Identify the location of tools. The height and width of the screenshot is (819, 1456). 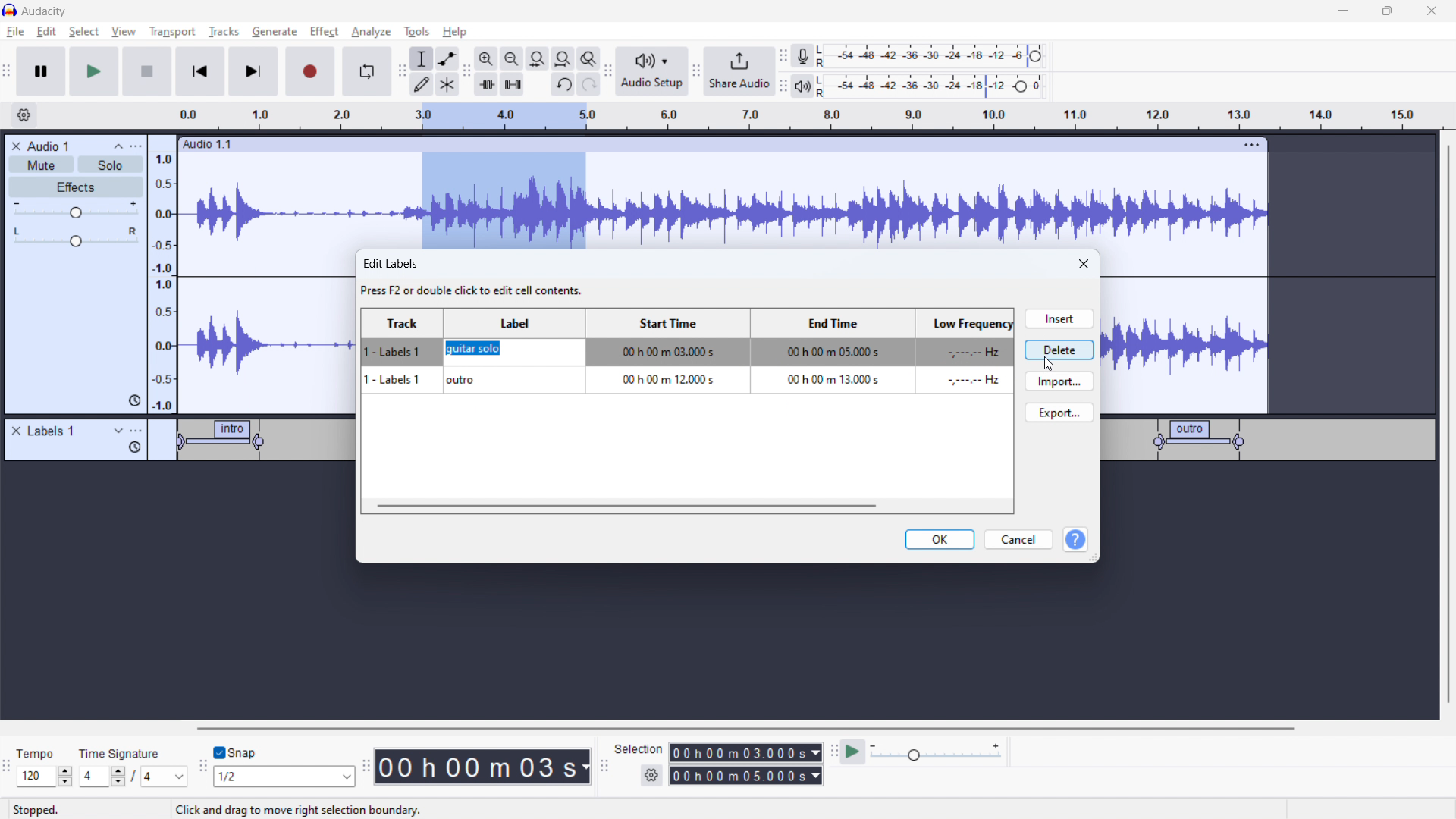
(415, 31).